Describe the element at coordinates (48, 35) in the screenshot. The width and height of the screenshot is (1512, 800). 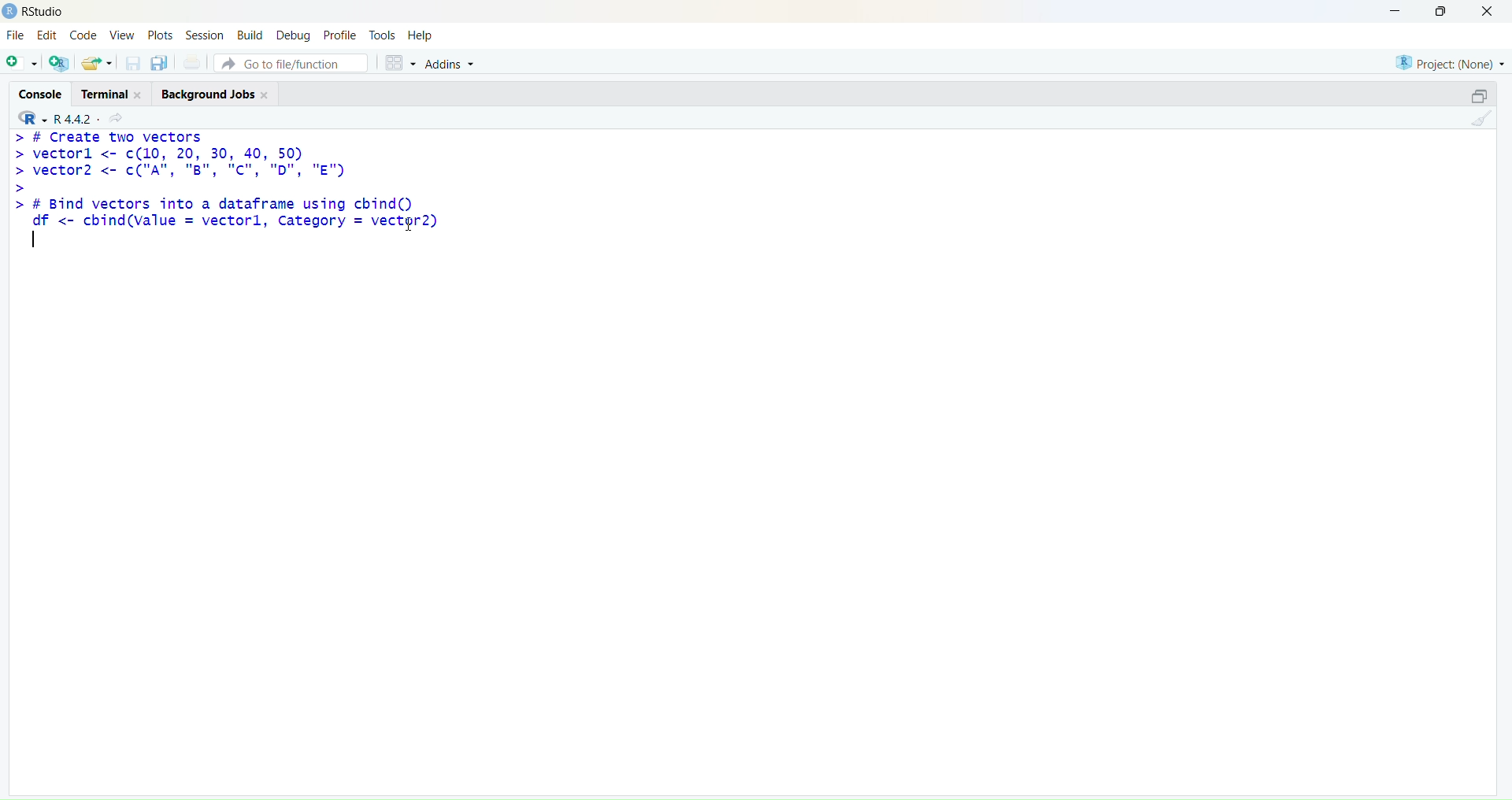
I see `Edit` at that location.